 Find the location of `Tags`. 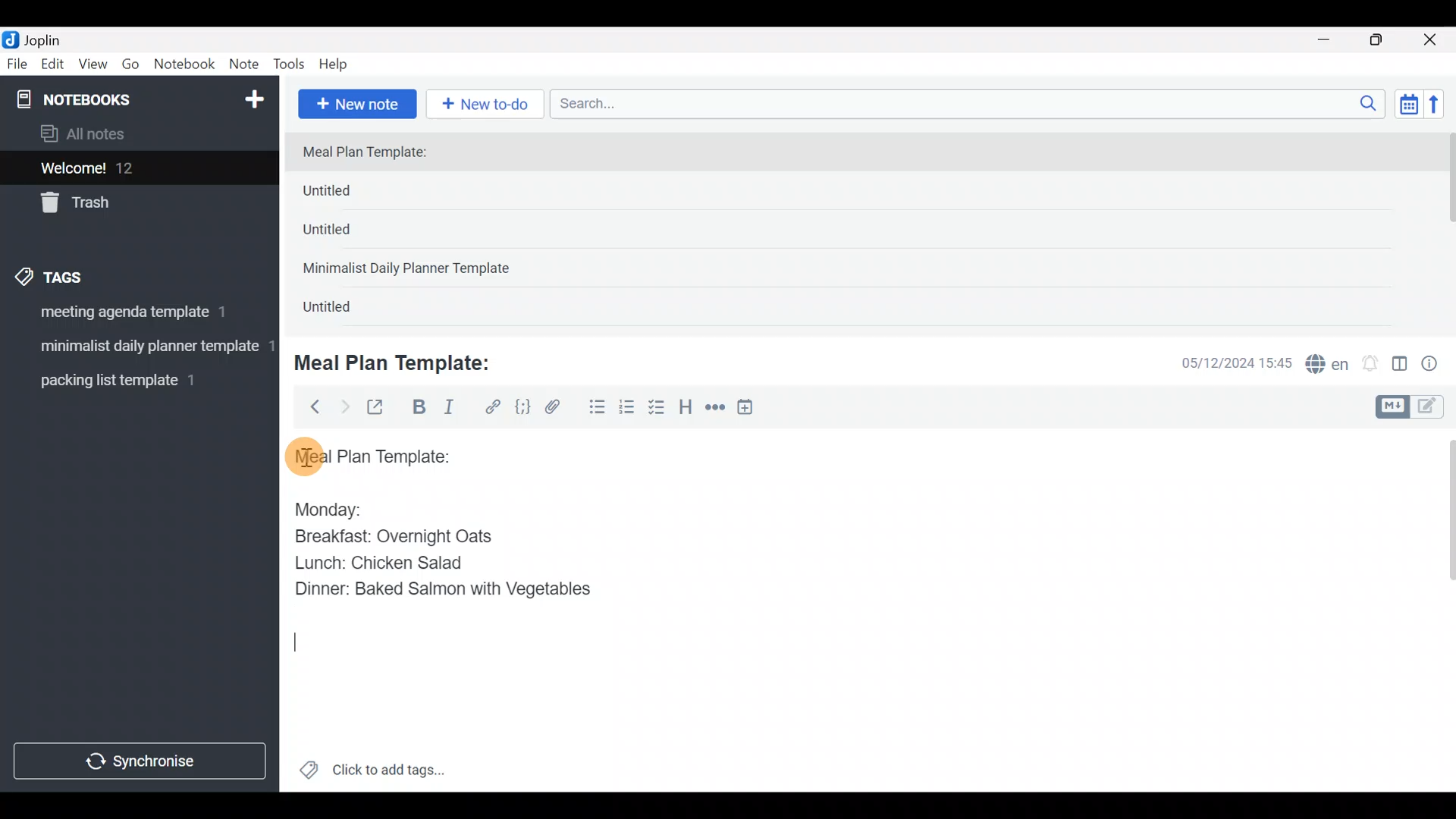

Tags is located at coordinates (85, 275).